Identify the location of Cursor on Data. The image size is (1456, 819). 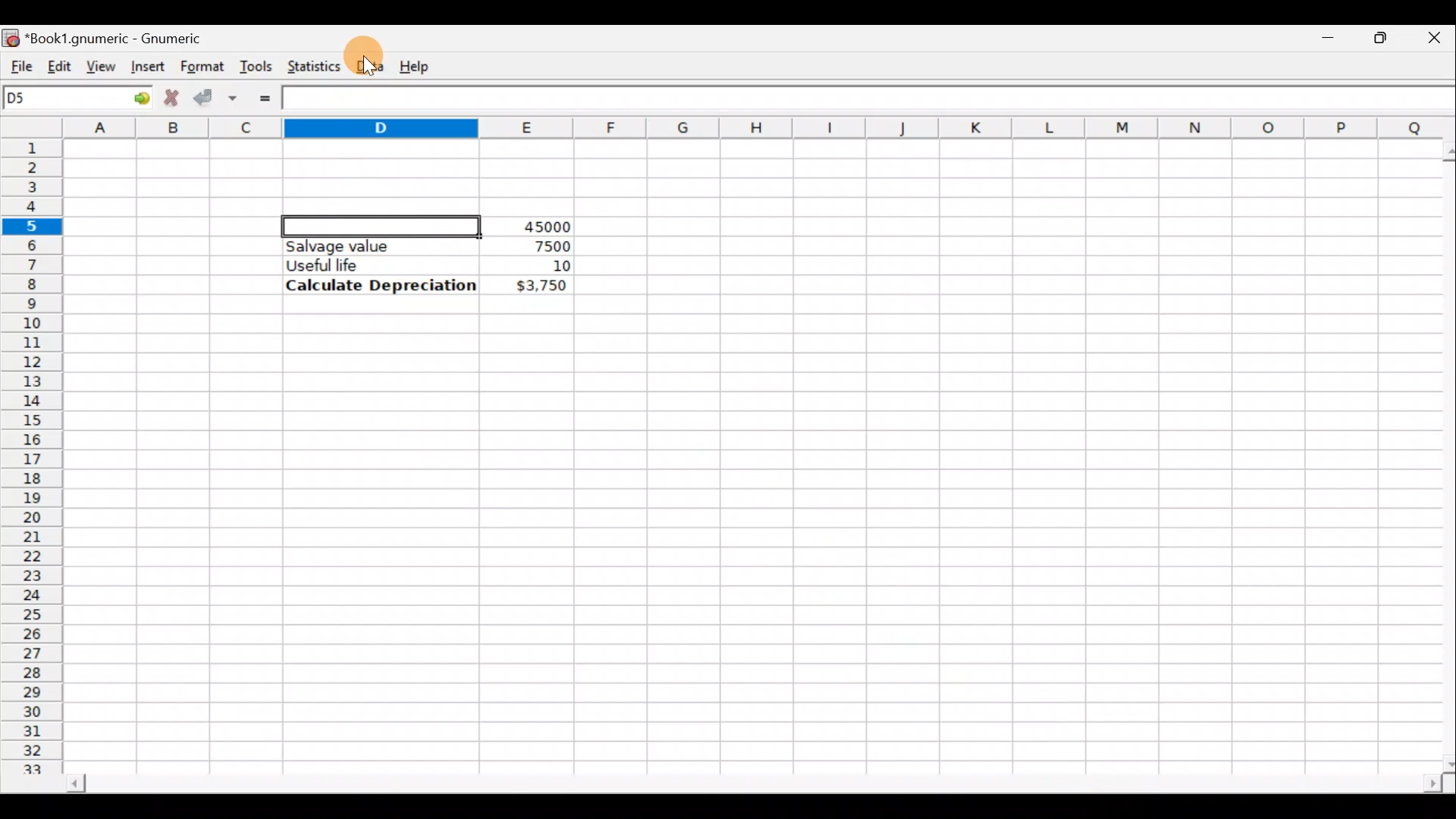
(369, 61).